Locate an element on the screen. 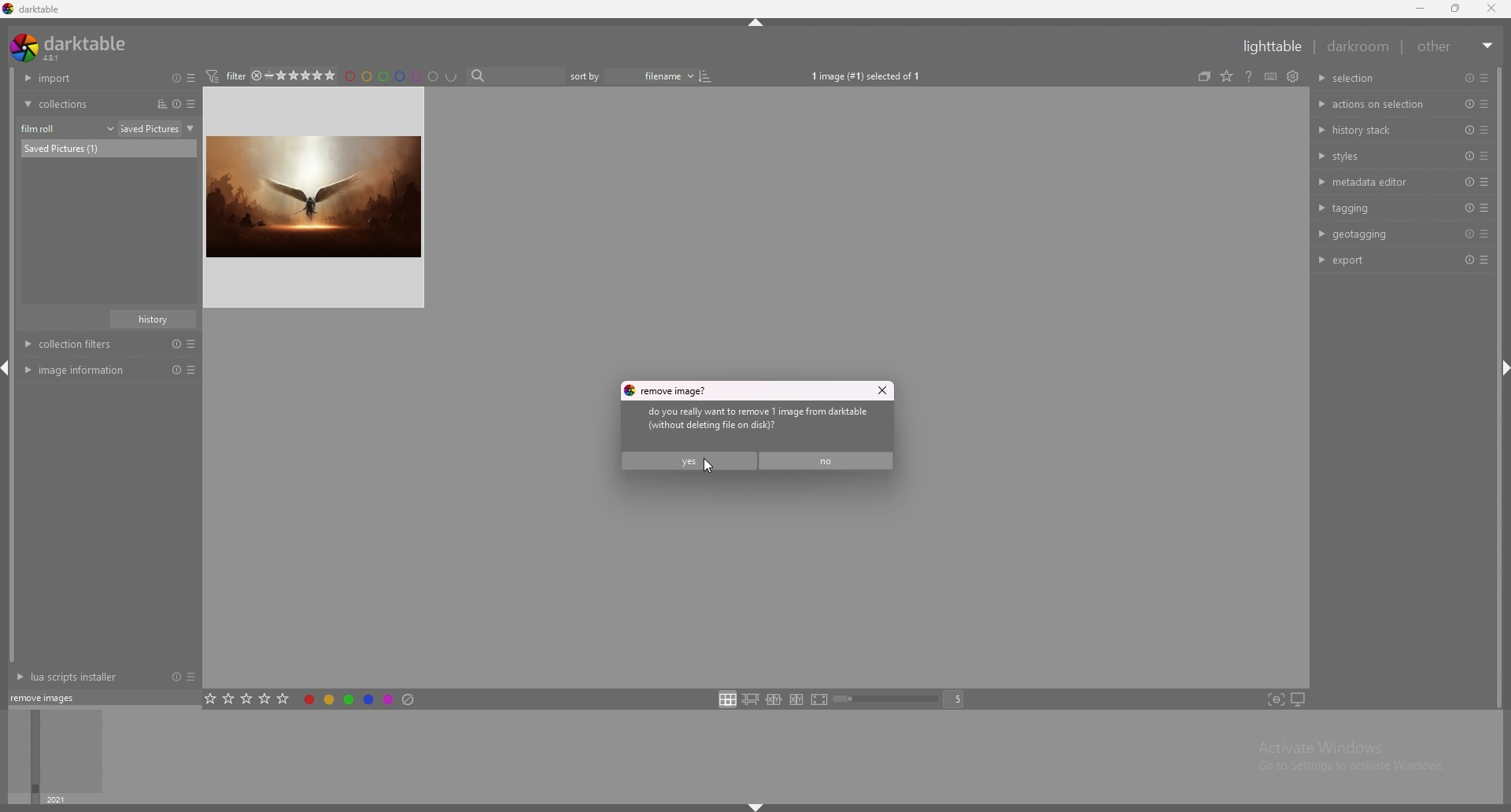 The width and height of the screenshot is (1511, 812). presets is located at coordinates (1485, 261).